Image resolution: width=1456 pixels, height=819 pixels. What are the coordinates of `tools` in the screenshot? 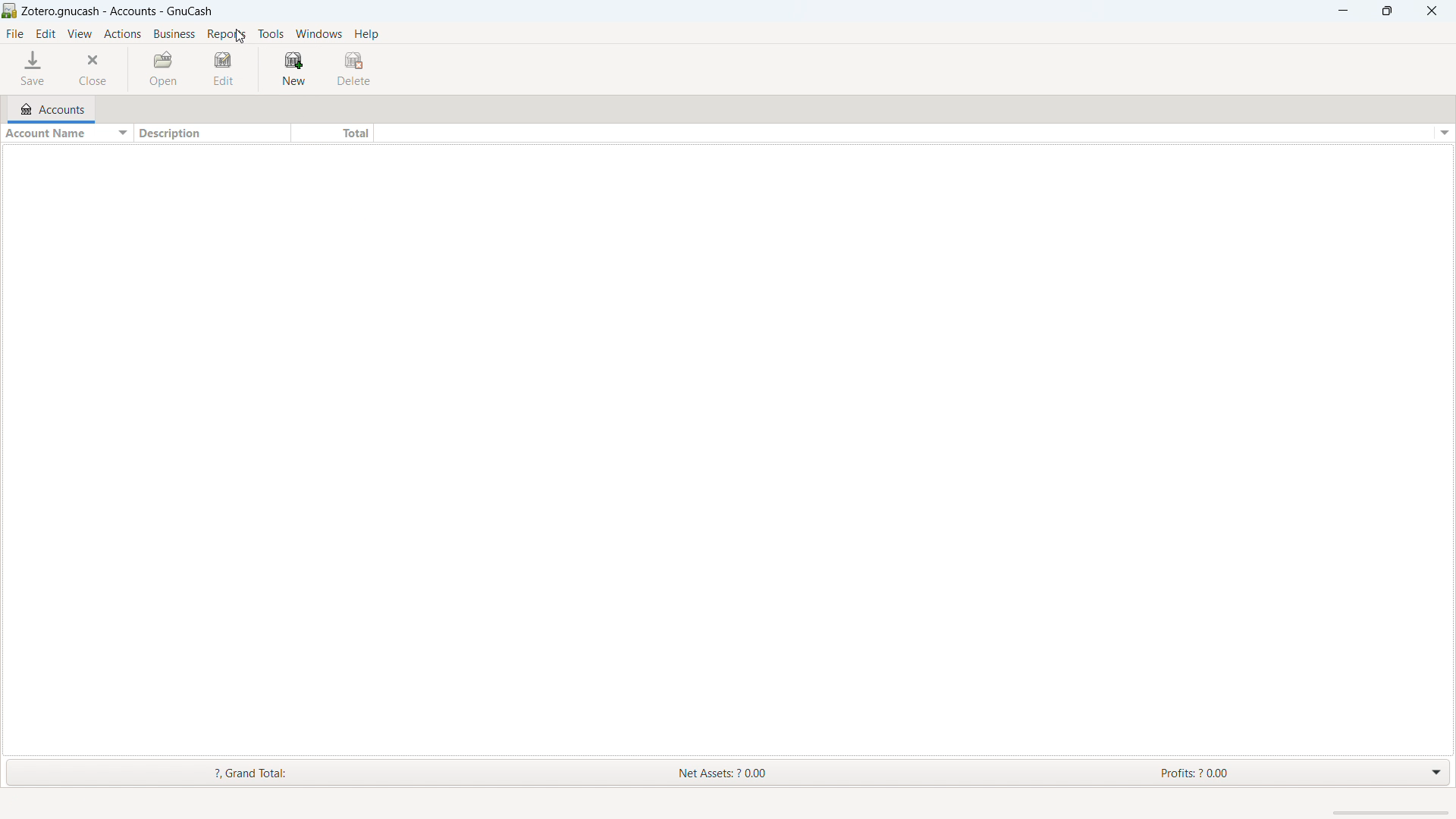 It's located at (271, 34).